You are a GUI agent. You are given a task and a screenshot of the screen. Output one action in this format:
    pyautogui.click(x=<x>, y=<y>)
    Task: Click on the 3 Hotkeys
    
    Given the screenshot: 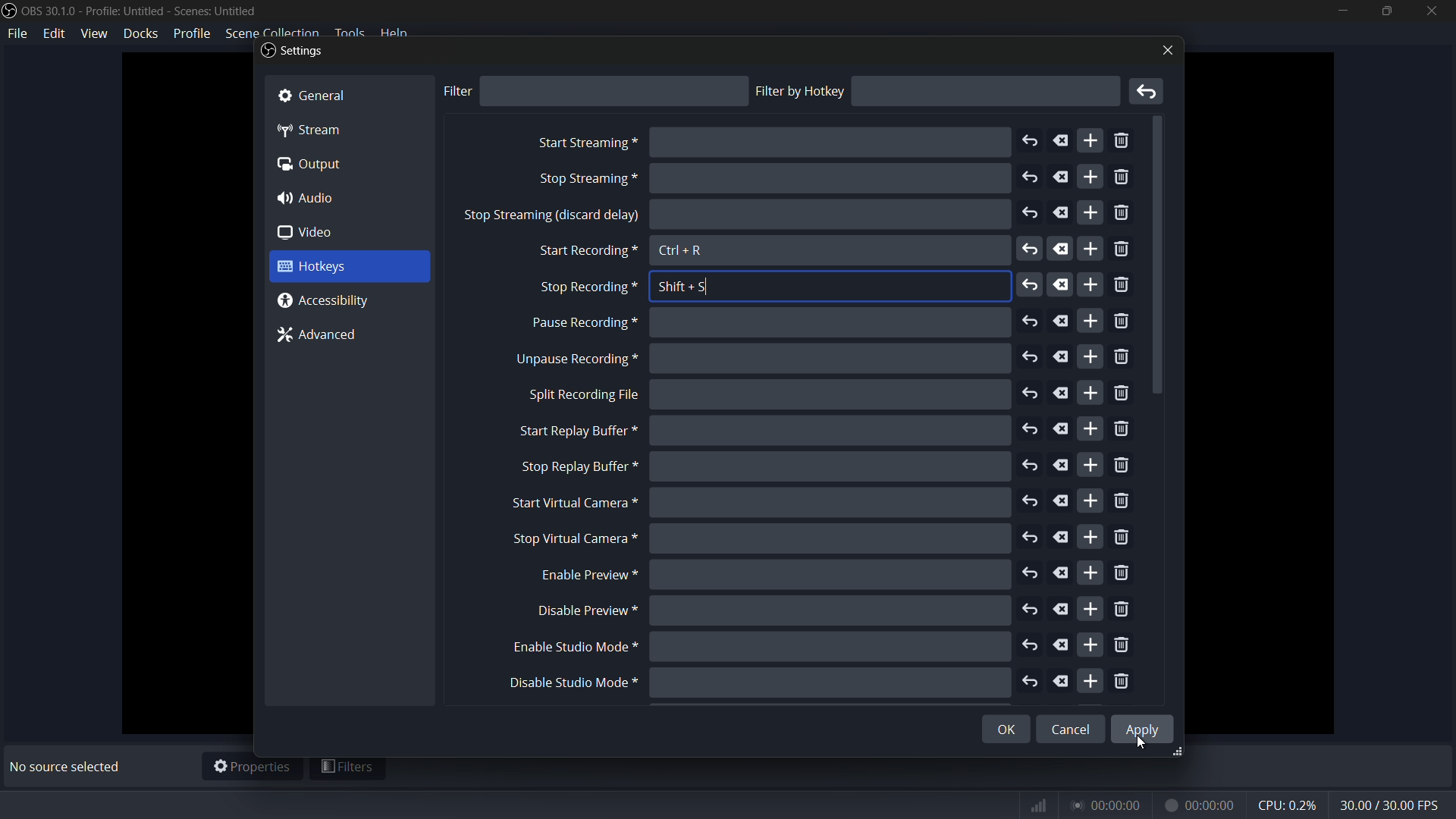 What is the action you would take?
    pyautogui.click(x=334, y=267)
    